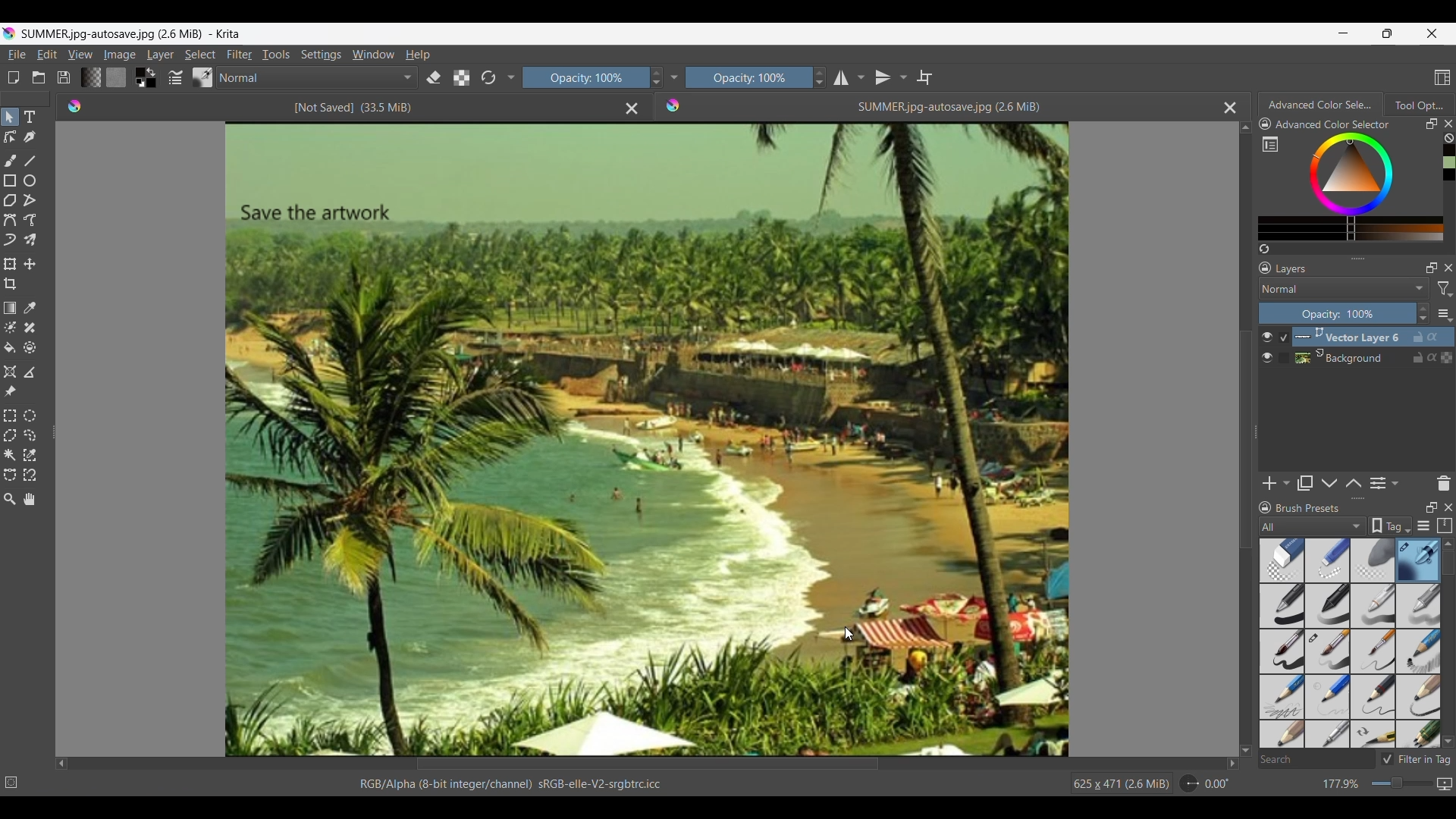 The height and width of the screenshot is (819, 1456). Describe the element at coordinates (1190, 784) in the screenshot. I see `Dial to change rotation` at that location.